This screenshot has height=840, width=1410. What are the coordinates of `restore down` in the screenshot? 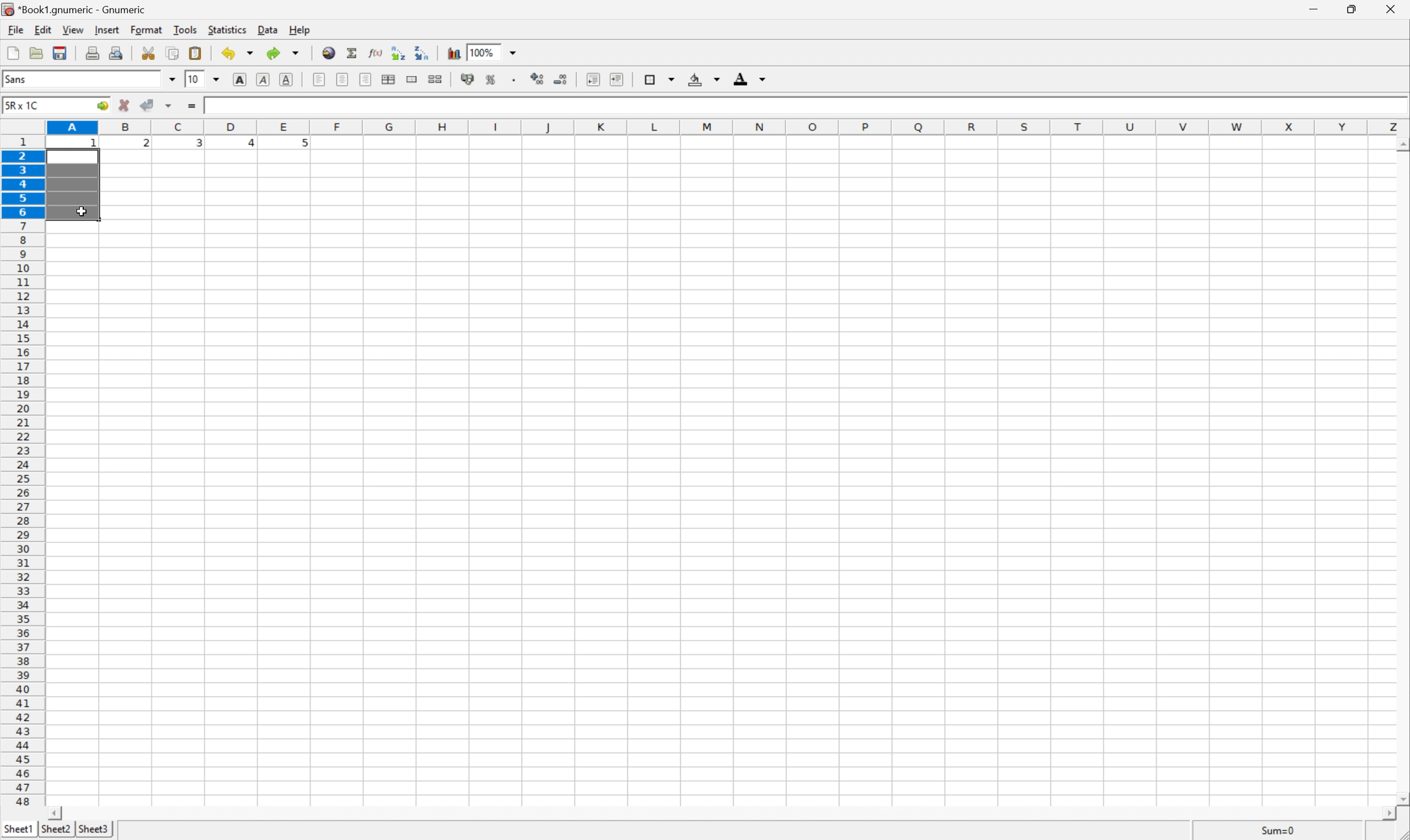 It's located at (1355, 8).